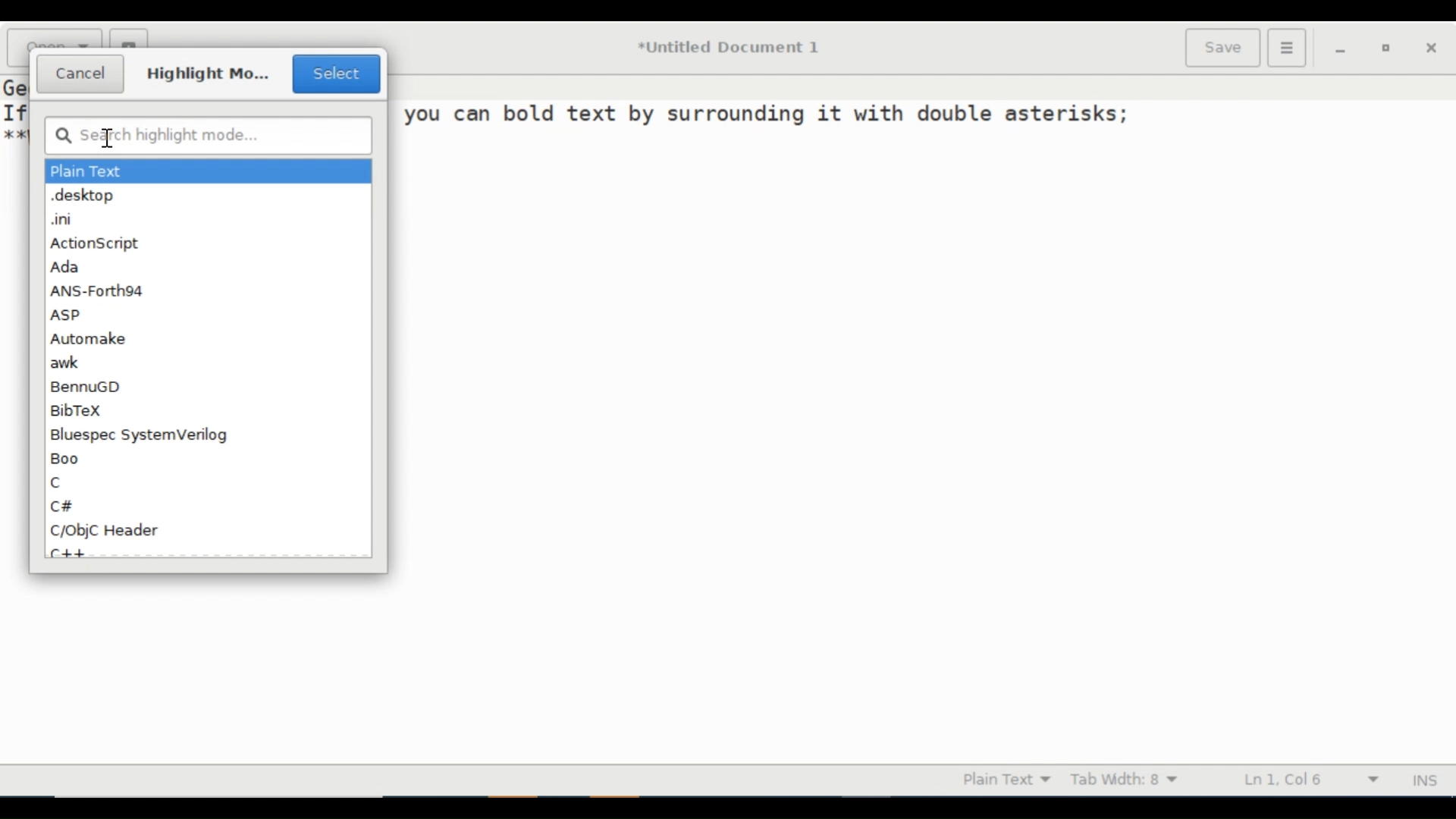 Image resolution: width=1456 pixels, height=819 pixels. What do you see at coordinates (90, 387) in the screenshot?
I see `BennuGD` at bounding box center [90, 387].